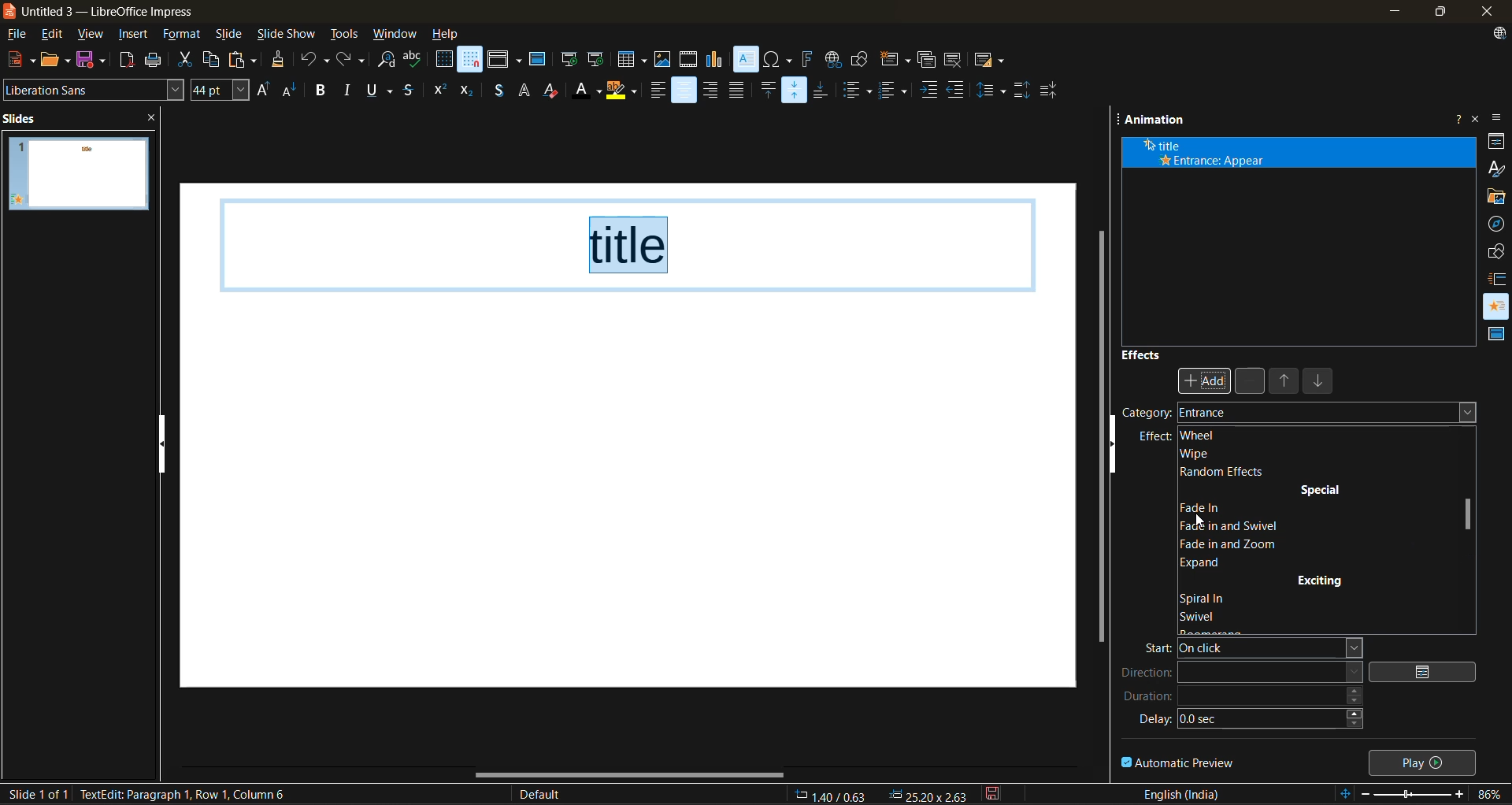  Describe the element at coordinates (1497, 224) in the screenshot. I see `navigator` at that location.